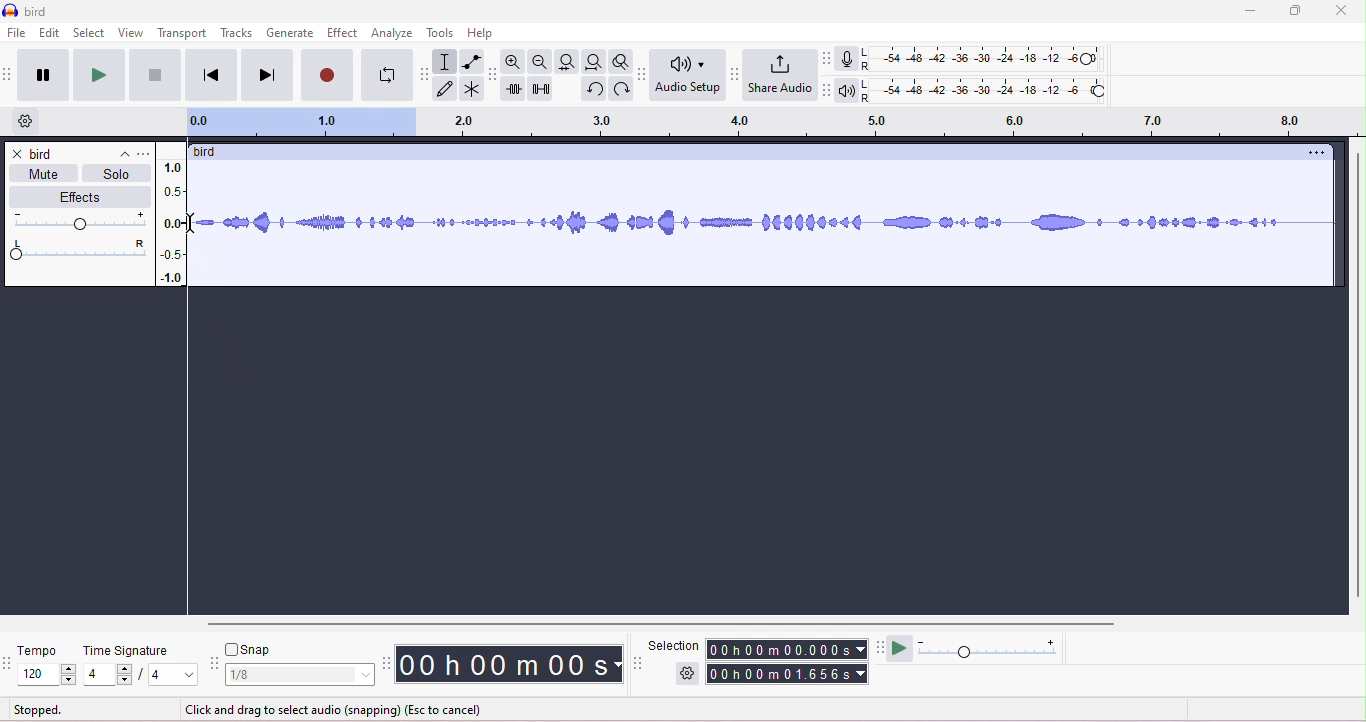  Describe the element at coordinates (621, 61) in the screenshot. I see `toggle zoom` at that location.